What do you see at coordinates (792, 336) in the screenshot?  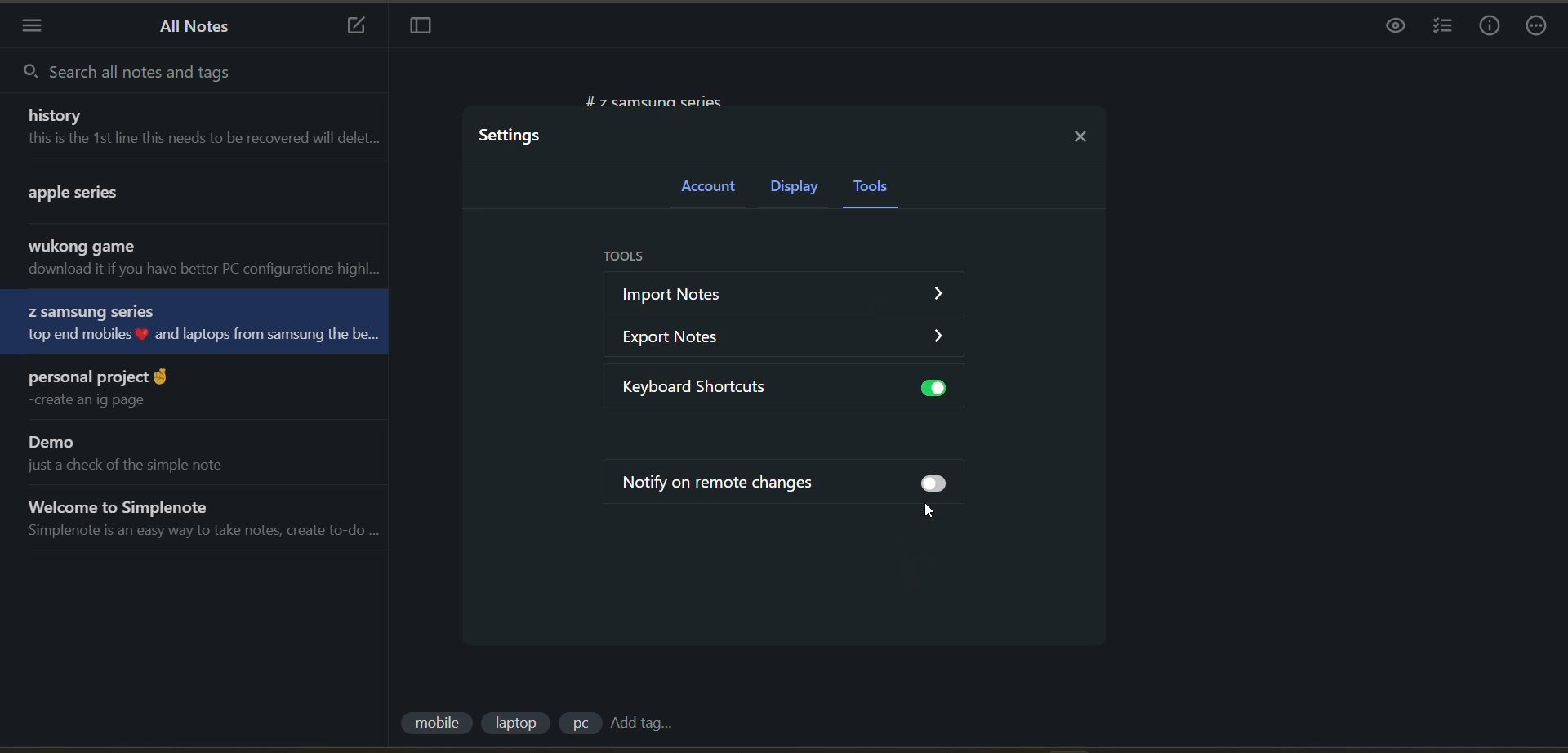 I see `export notes` at bounding box center [792, 336].